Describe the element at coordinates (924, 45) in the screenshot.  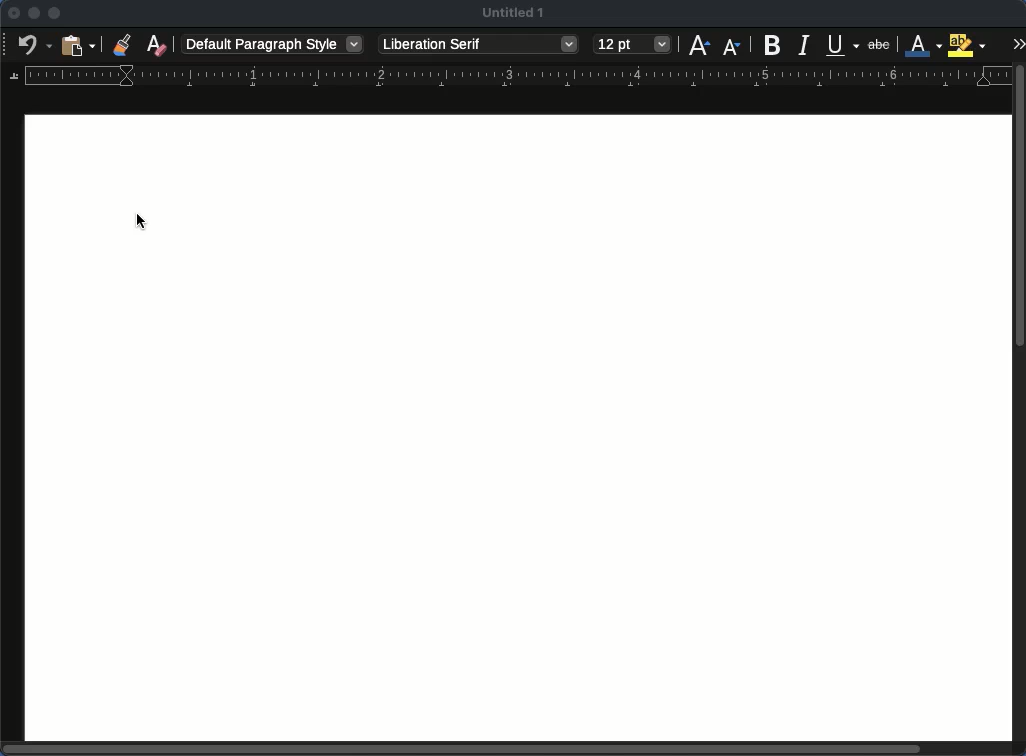
I see `text color` at that location.